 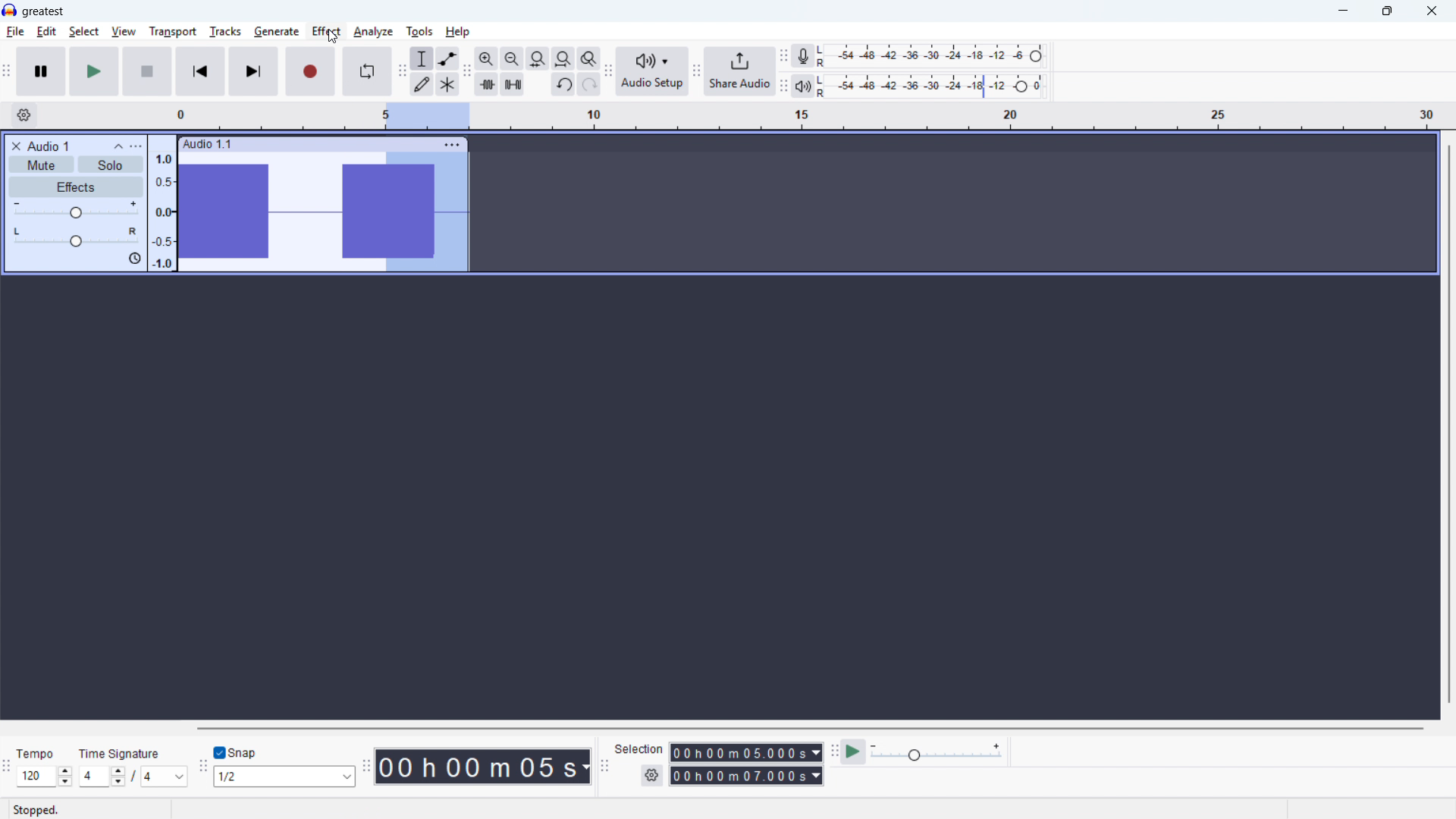 What do you see at coordinates (41, 71) in the screenshot?
I see `Pause ` at bounding box center [41, 71].